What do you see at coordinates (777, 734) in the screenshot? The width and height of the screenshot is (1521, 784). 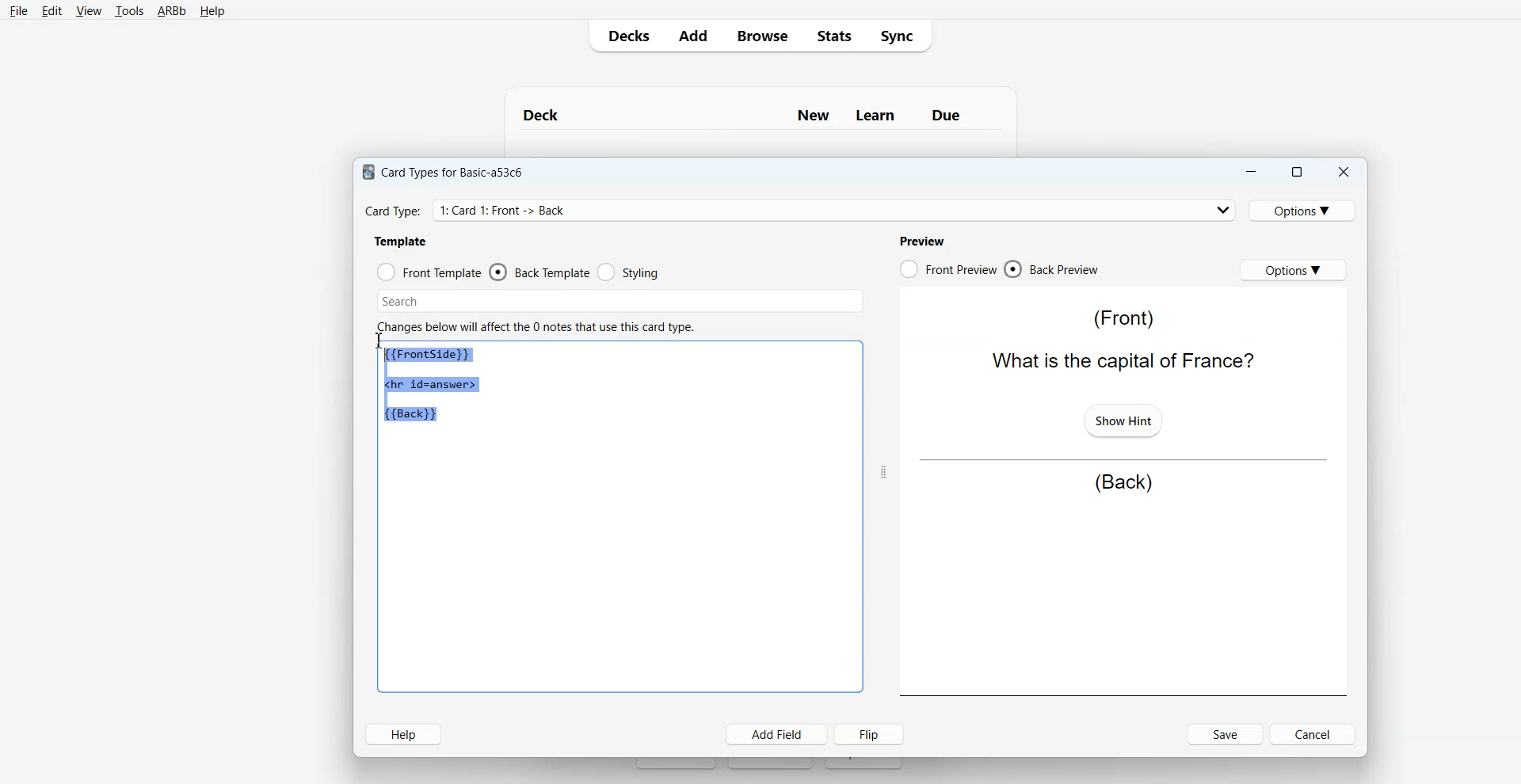 I see `Add Field` at bounding box center [777, 734].